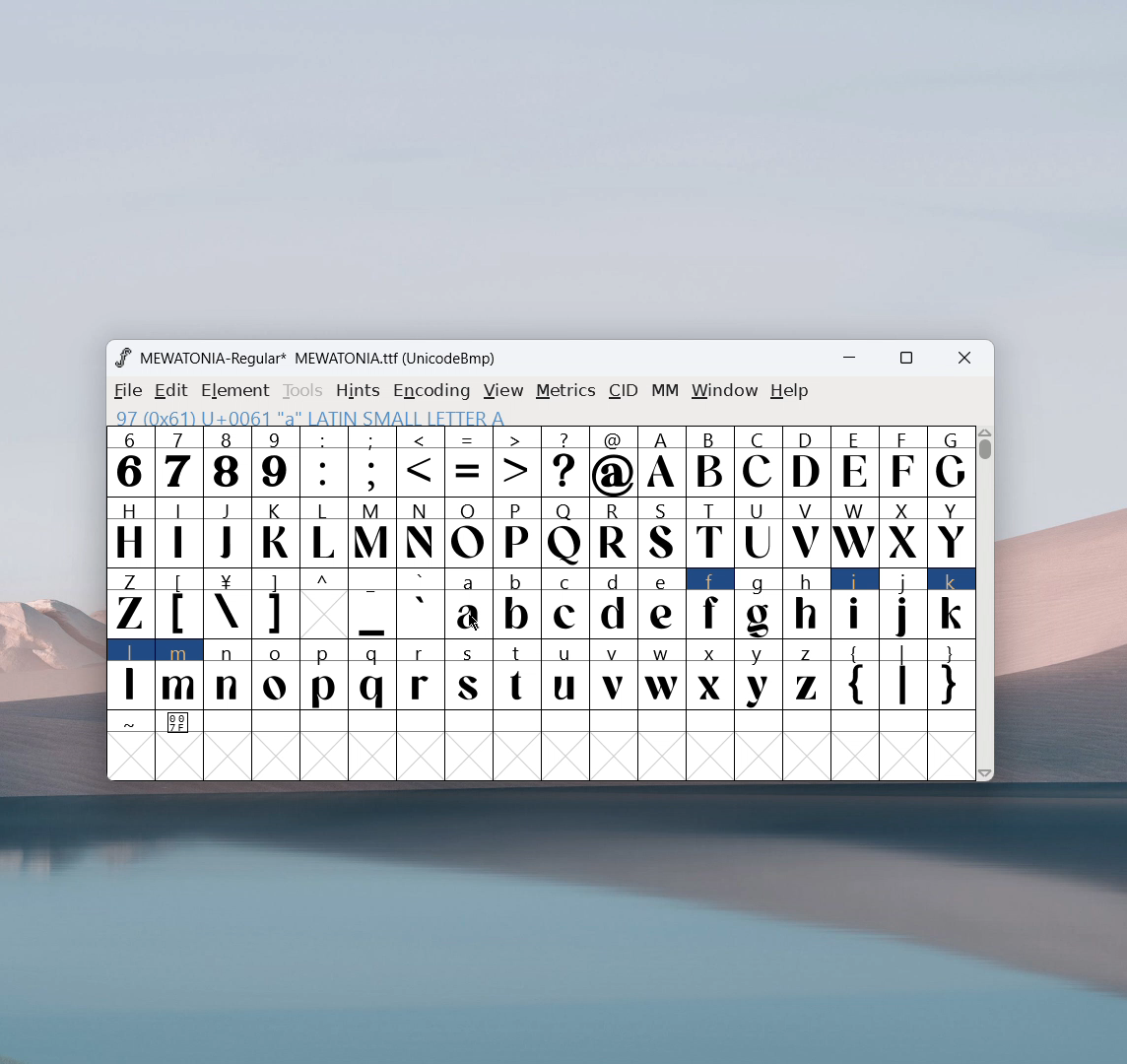 This screenshot has height=1064, width=1127. What do you see at coordinates (323, 604) in the screenshot?
I see `^` at bounding box center [323, 604].